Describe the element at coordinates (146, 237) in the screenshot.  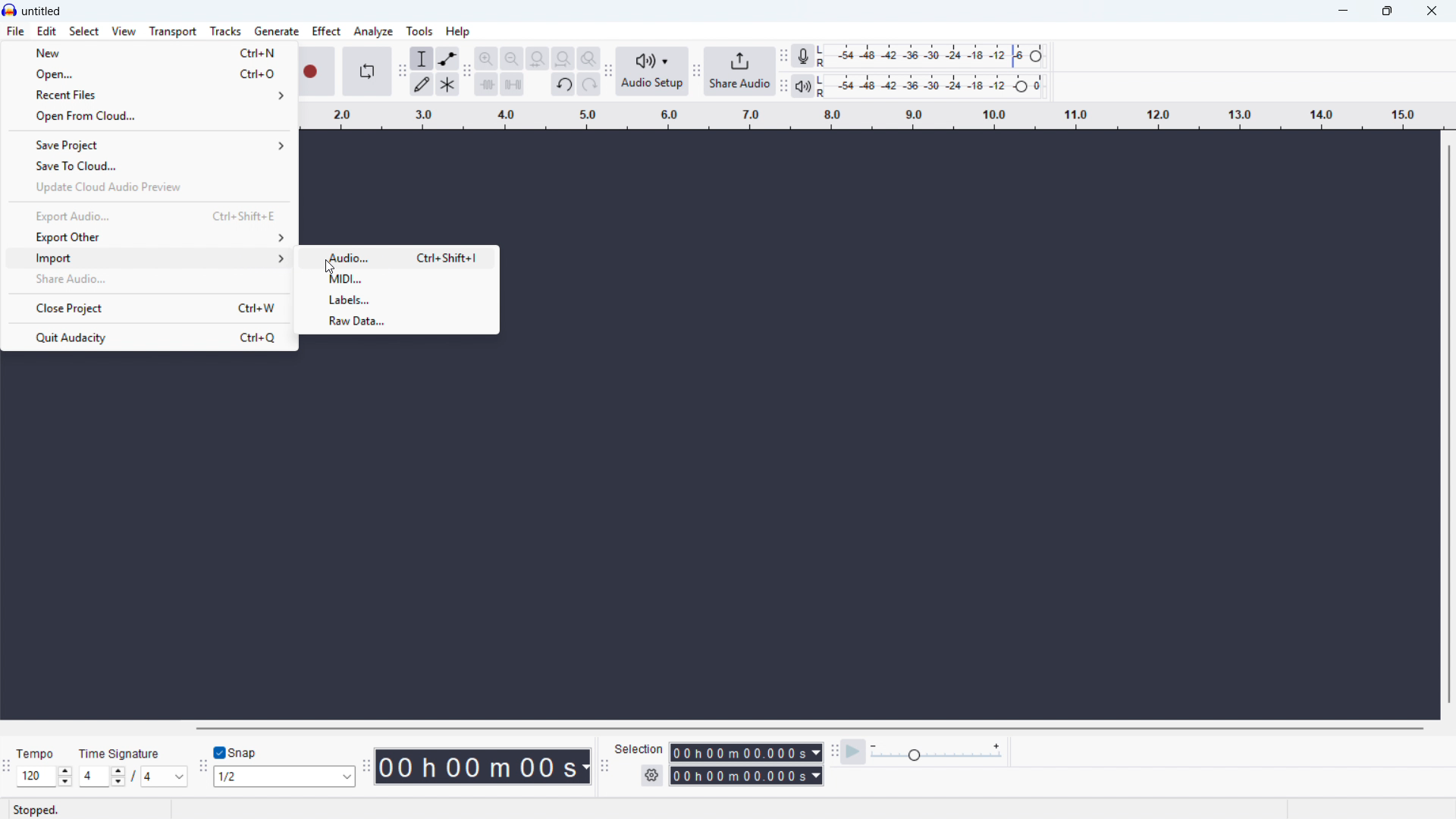
I see `Export other ` at that location.